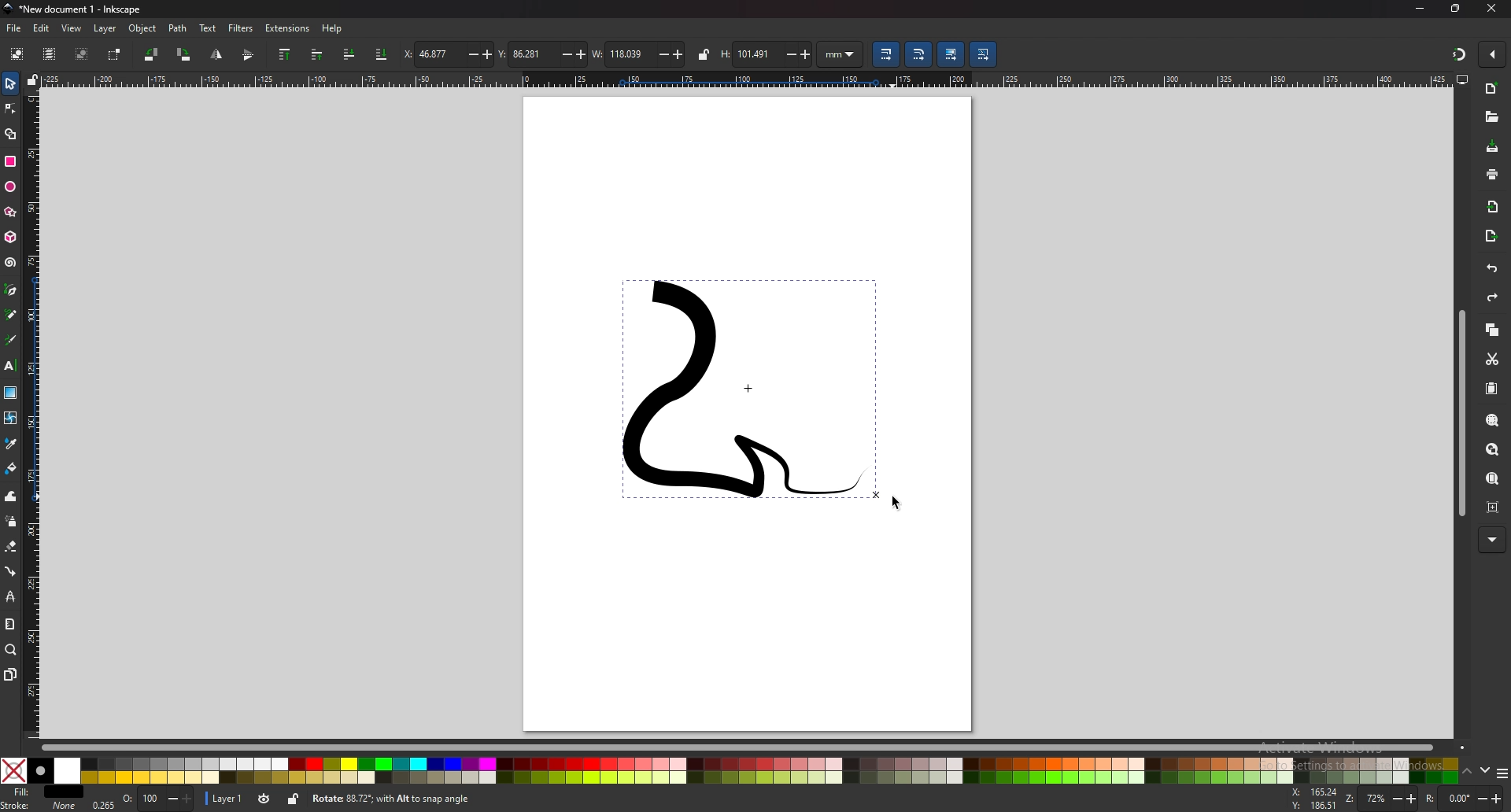  Describe the element at coordinates (179, 28) in the screenshot. I see `path` at that location.